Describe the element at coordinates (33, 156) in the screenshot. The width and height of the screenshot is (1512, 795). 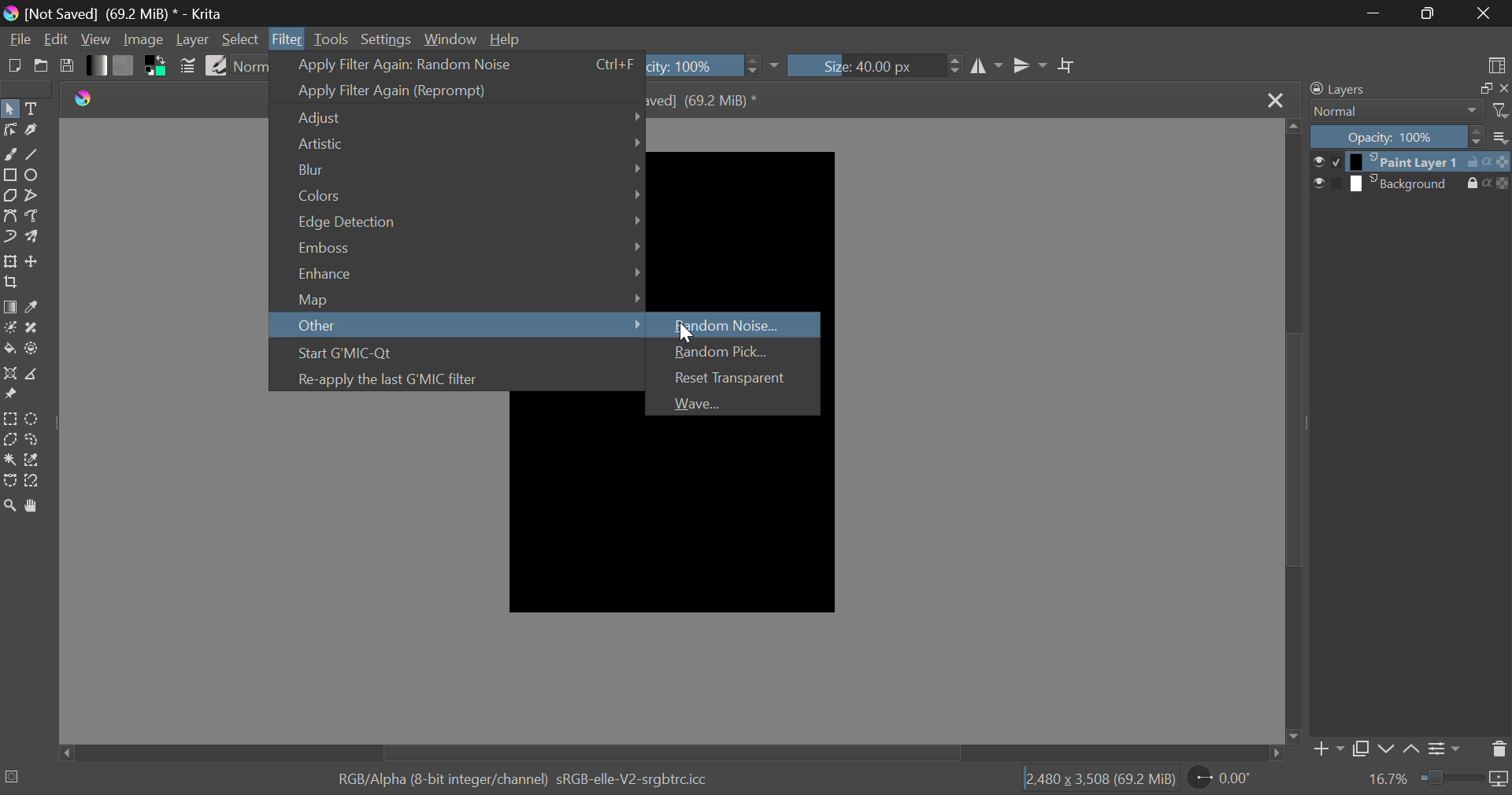
I see `Line` at that location.